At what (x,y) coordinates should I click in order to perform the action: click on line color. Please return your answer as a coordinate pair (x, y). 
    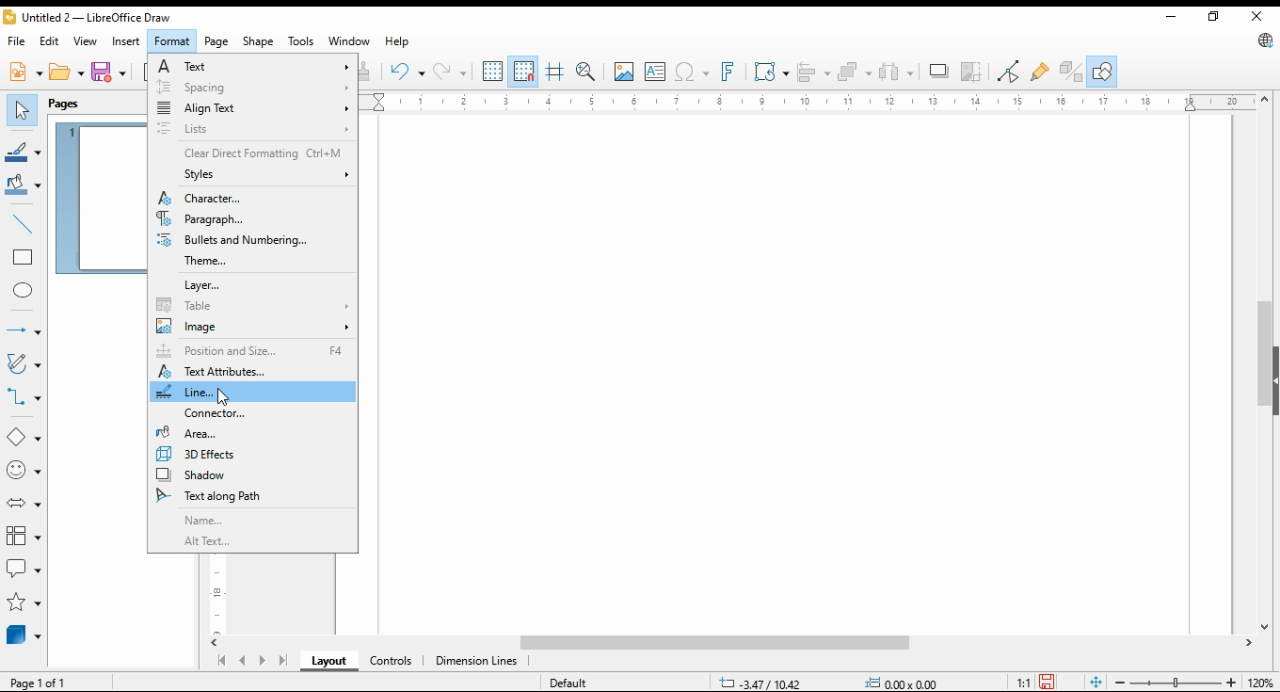
    Looking at the image, I should click on (23, 150).